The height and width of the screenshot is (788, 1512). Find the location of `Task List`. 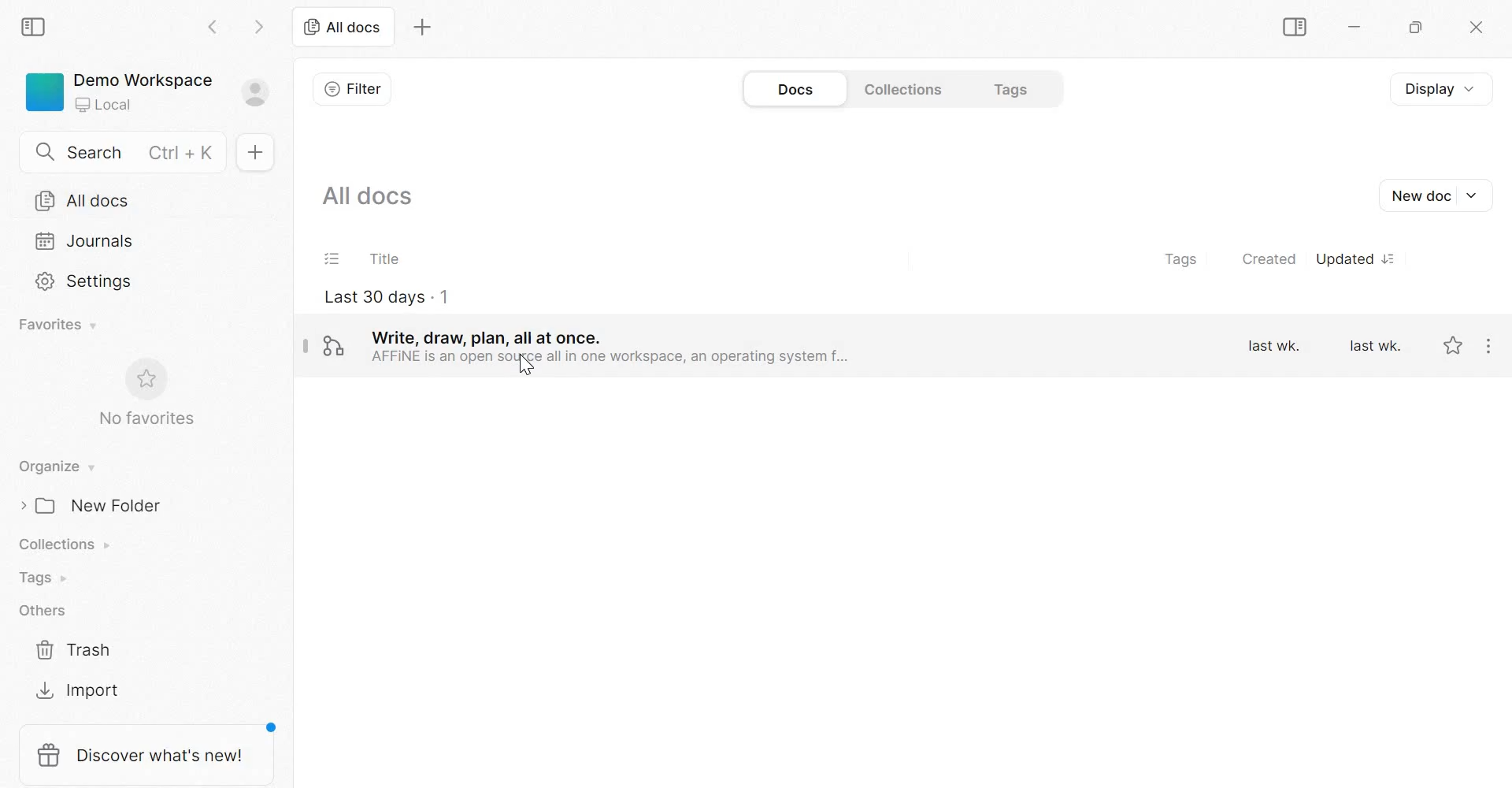

Task List is located at coordinates (331, 258).